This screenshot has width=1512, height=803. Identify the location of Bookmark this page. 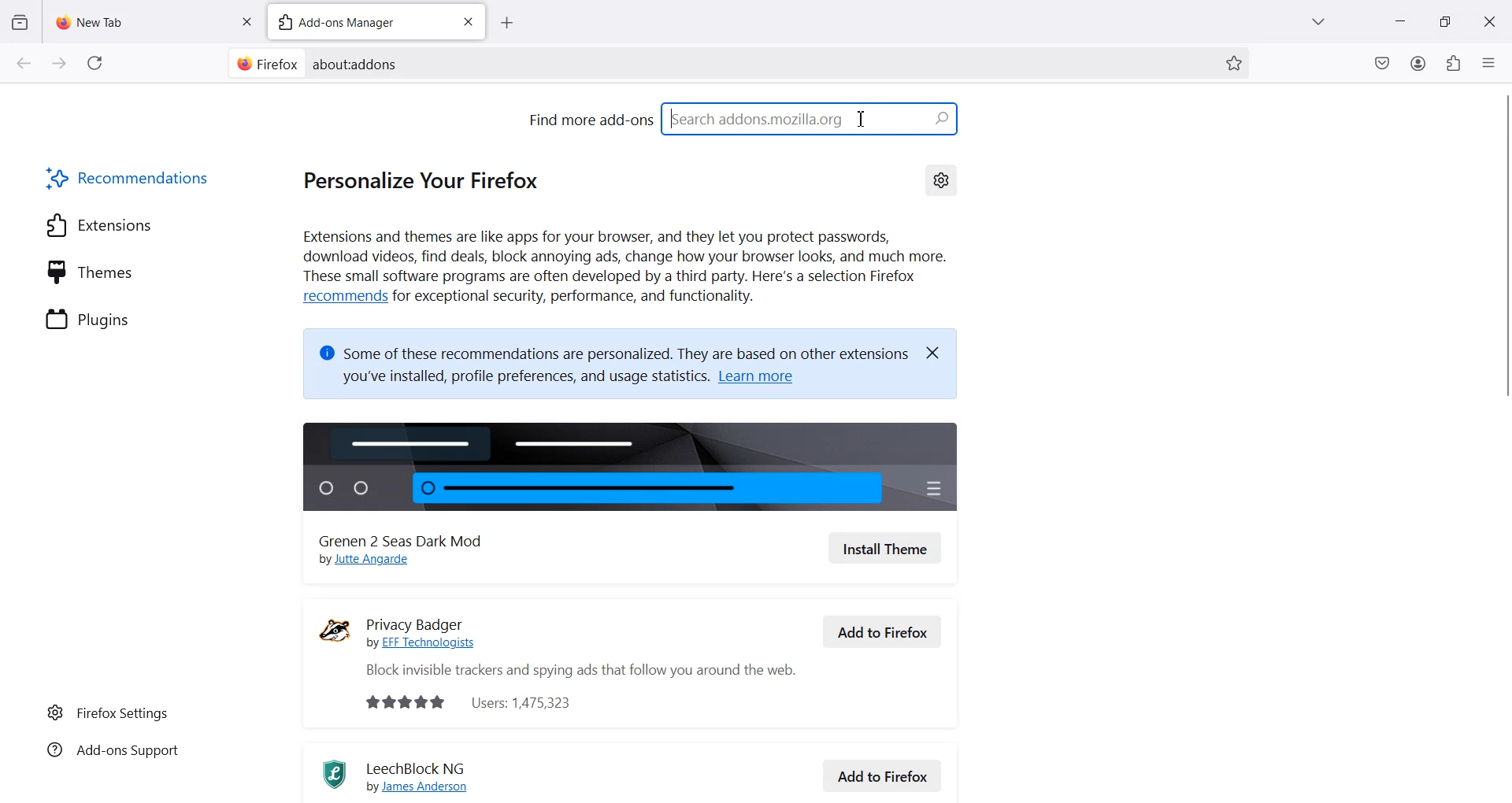
(1233, 63).